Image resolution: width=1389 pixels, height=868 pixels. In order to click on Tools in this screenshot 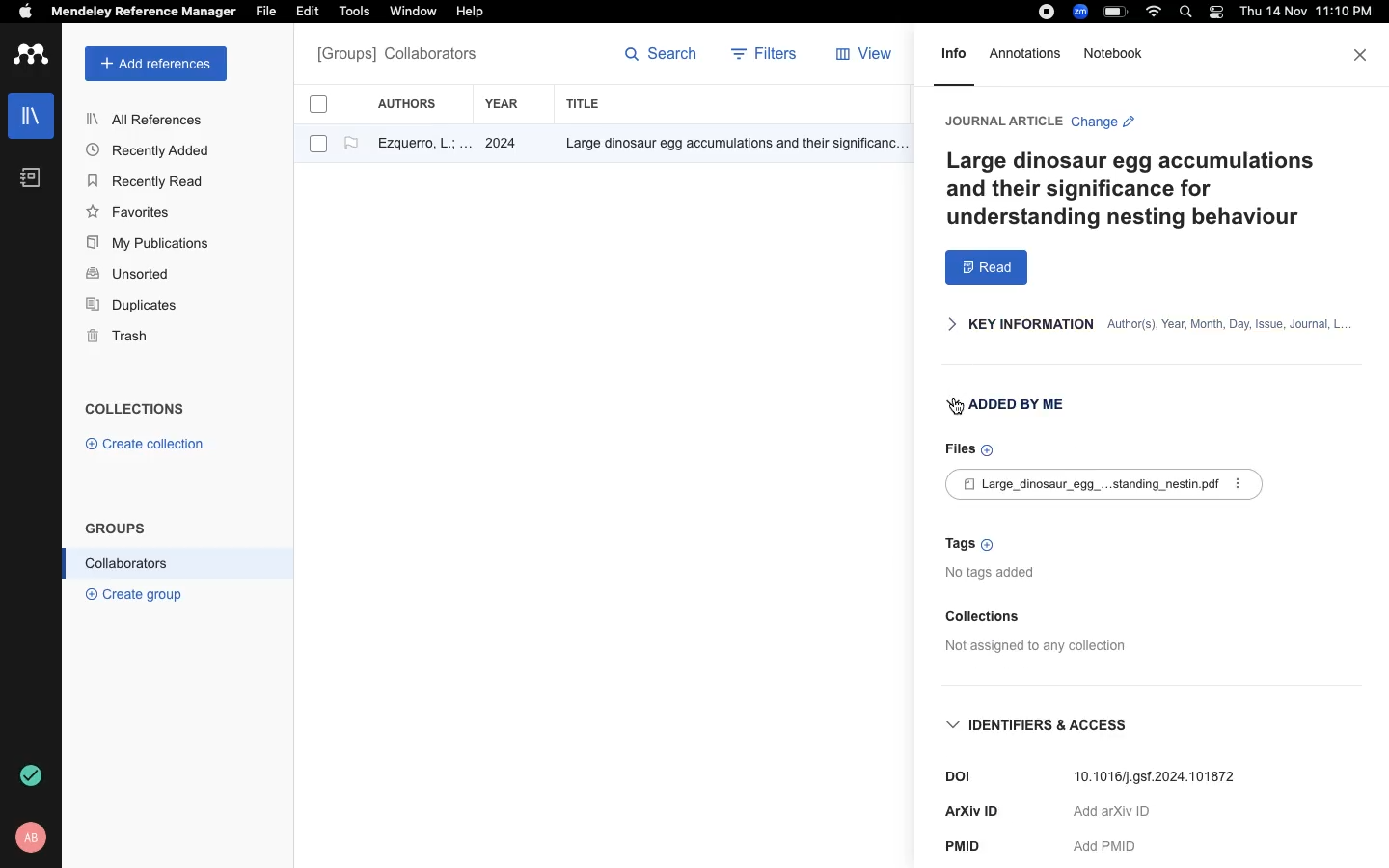, I will do `click(354, 13)`.